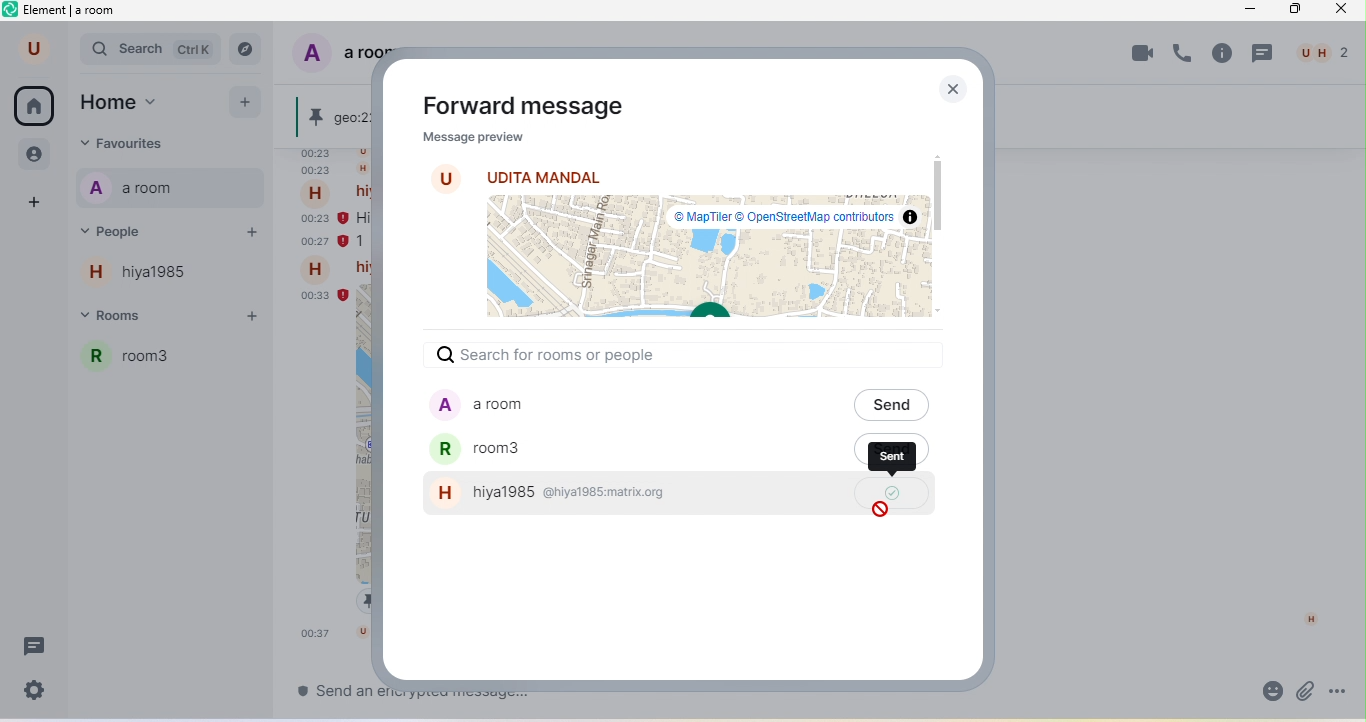  I want to click on element a room, so click(70, 13).